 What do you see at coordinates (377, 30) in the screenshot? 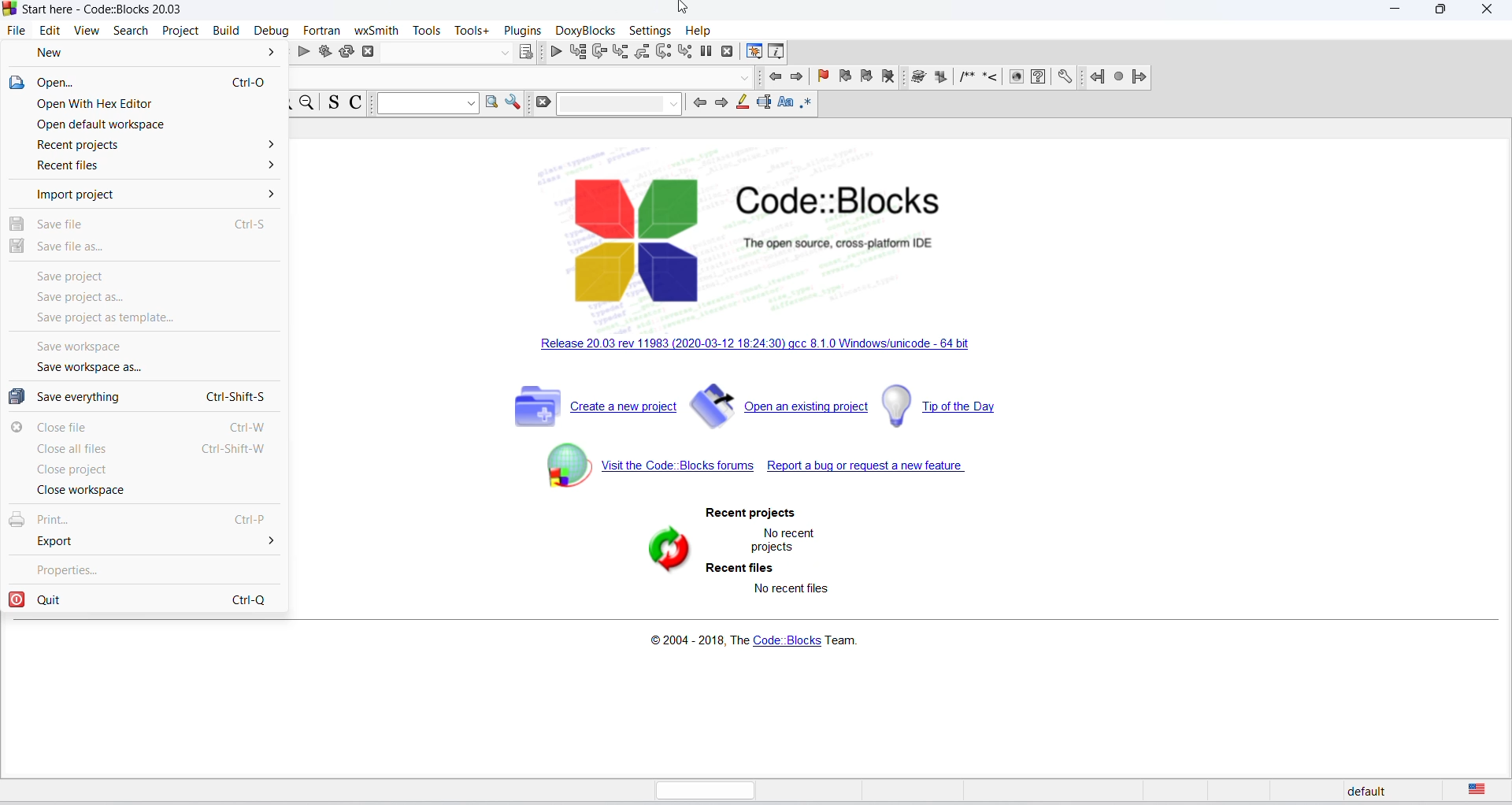
I see `wxSmith` at bounding box center [377, 30].